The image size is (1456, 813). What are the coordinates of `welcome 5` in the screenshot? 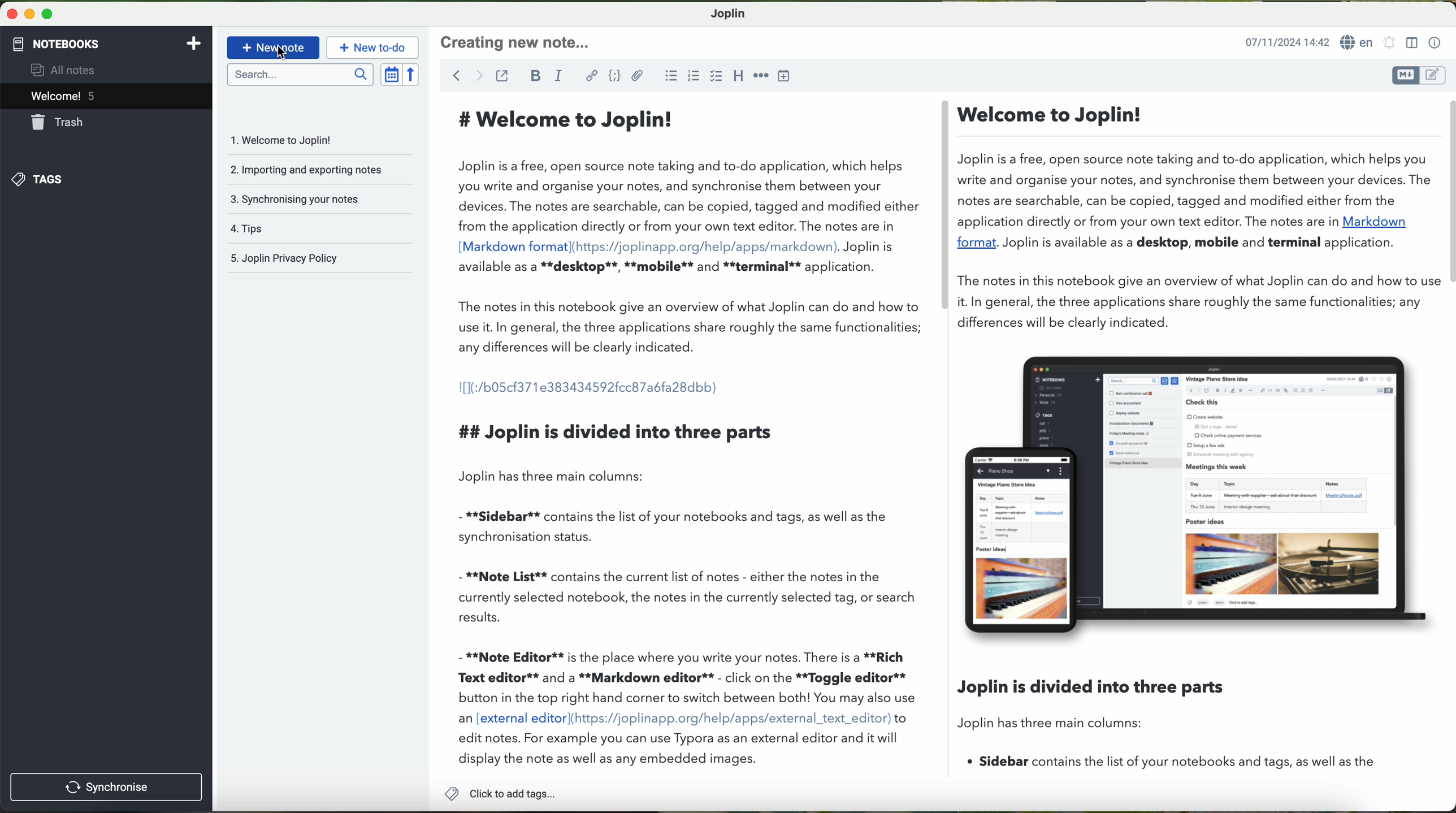 It's located at (107, 96).